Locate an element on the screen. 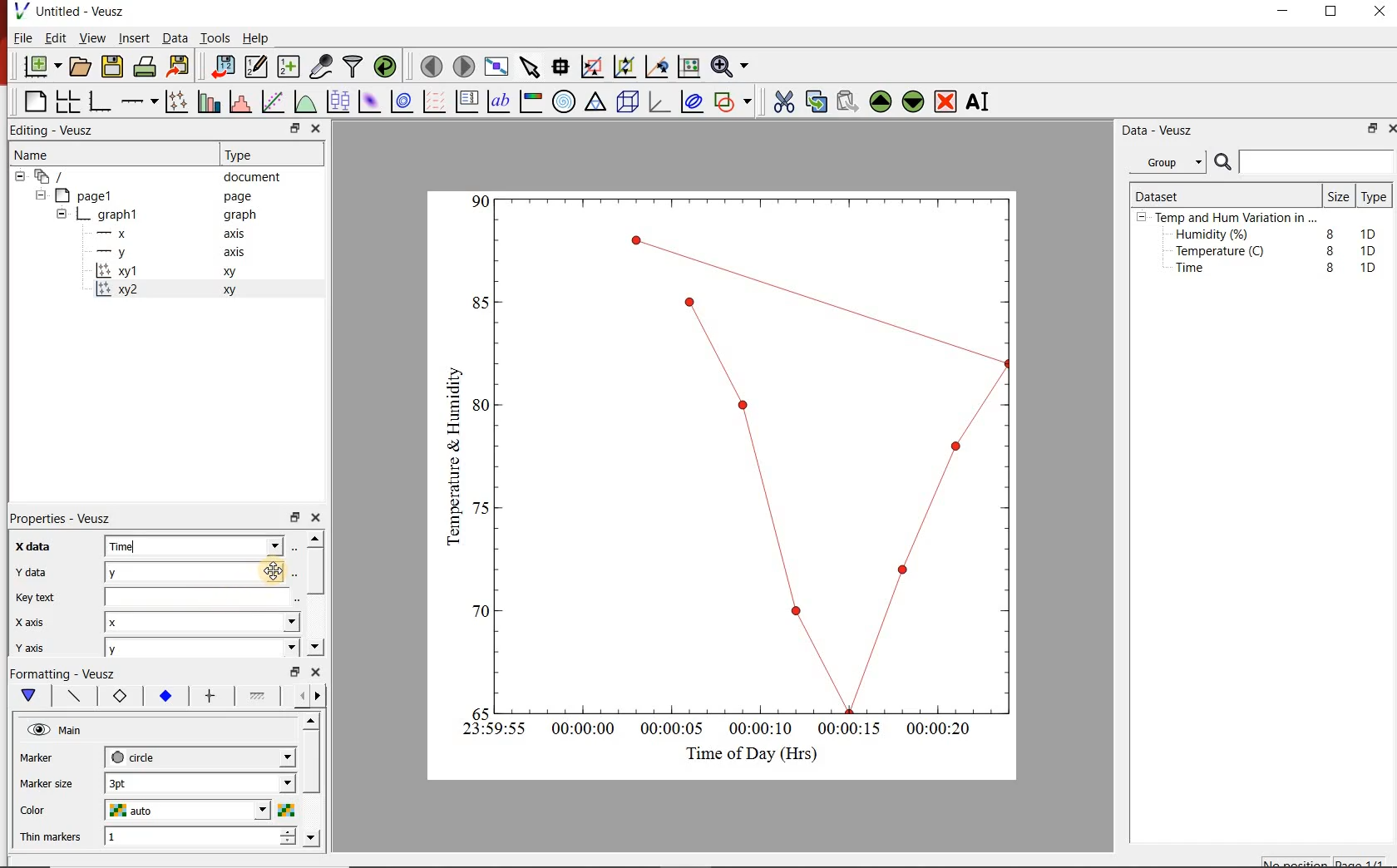 The height and width of the screenshot is (868, 1397). close is located at coordinates (317, 128).